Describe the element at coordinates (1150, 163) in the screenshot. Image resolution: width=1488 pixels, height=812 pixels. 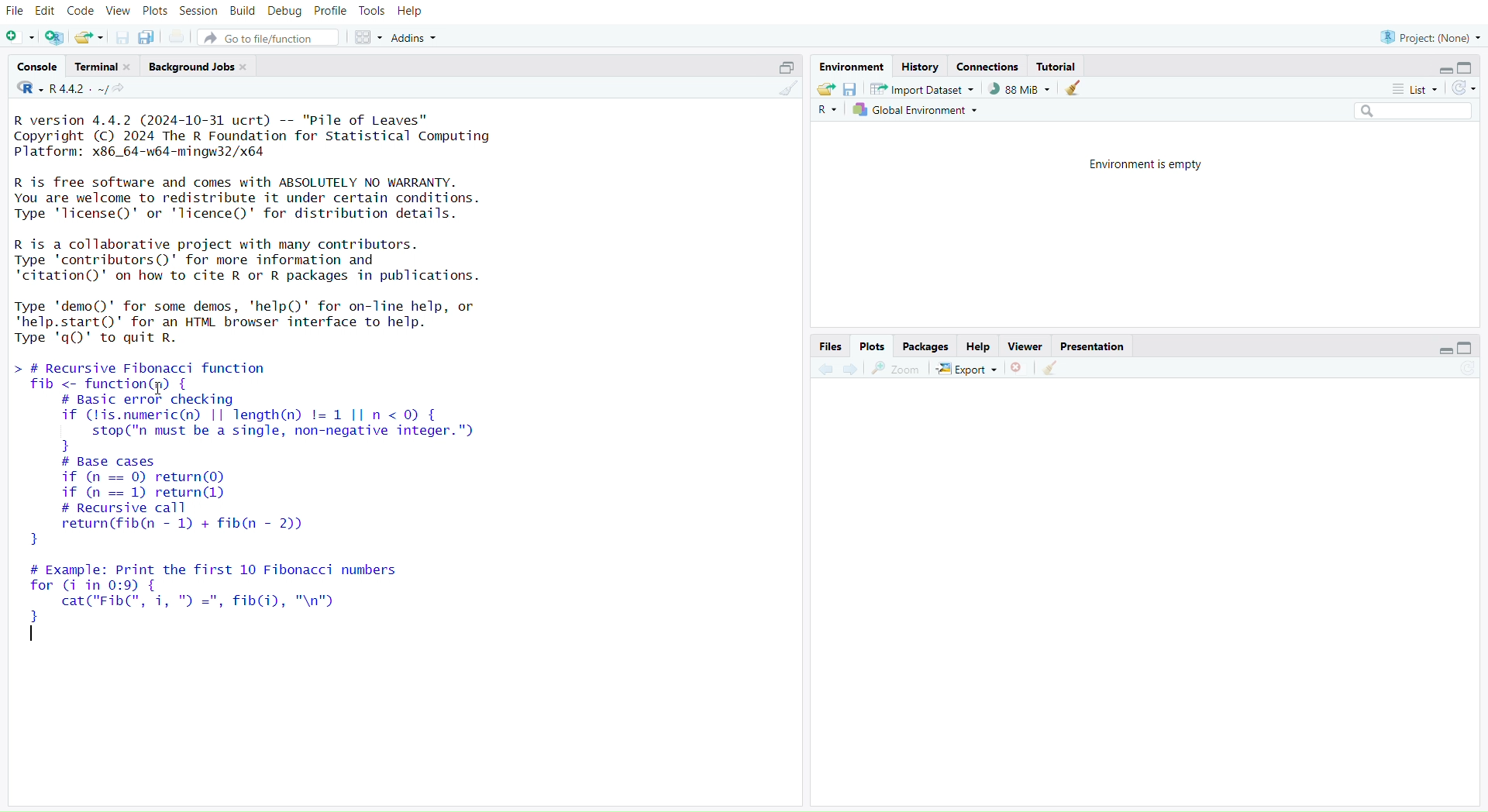
I see `environment is empty` at that location.